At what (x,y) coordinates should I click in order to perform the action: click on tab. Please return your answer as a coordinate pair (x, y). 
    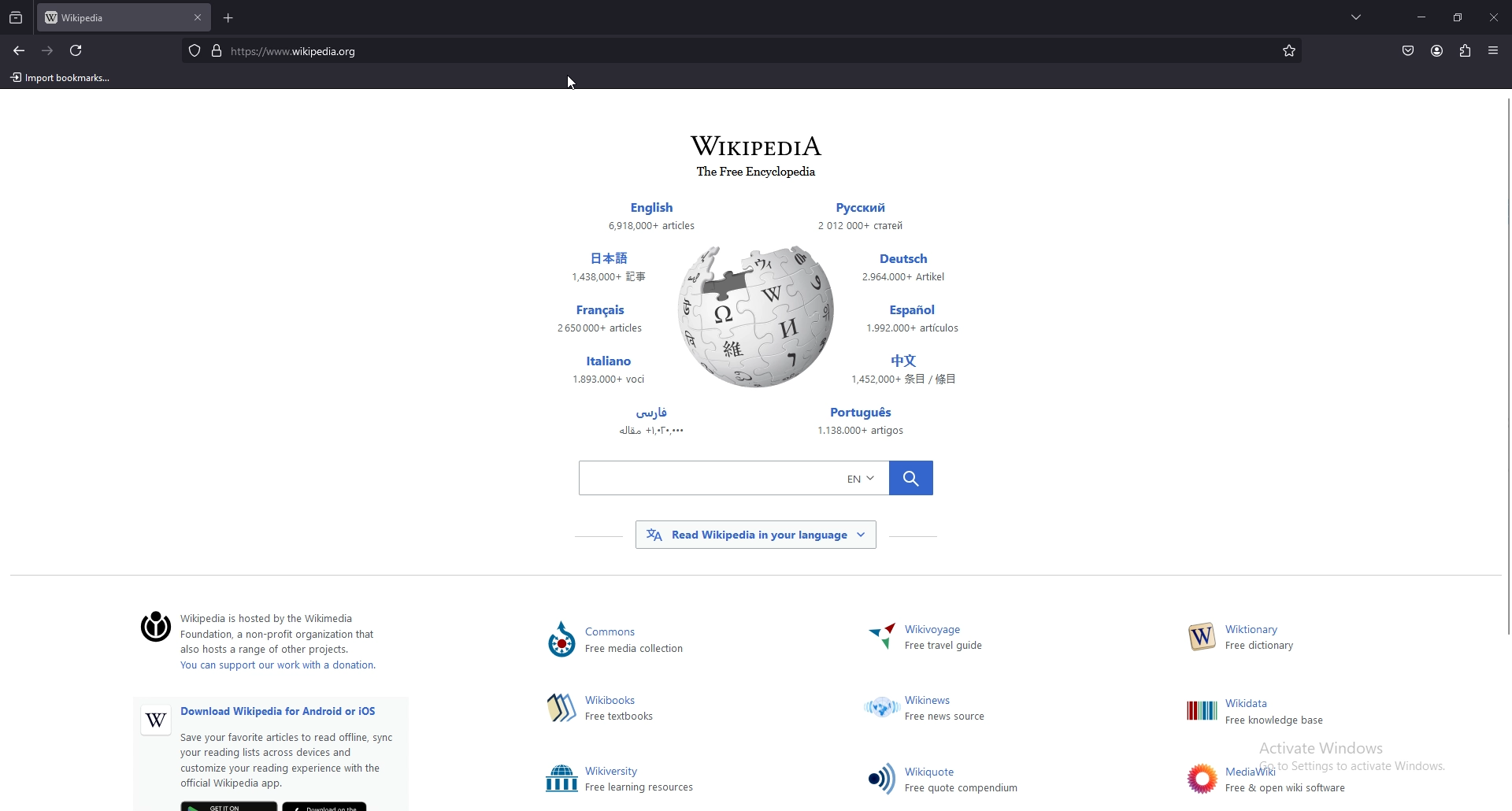
    Looking at the image, I should click on (107, 19).